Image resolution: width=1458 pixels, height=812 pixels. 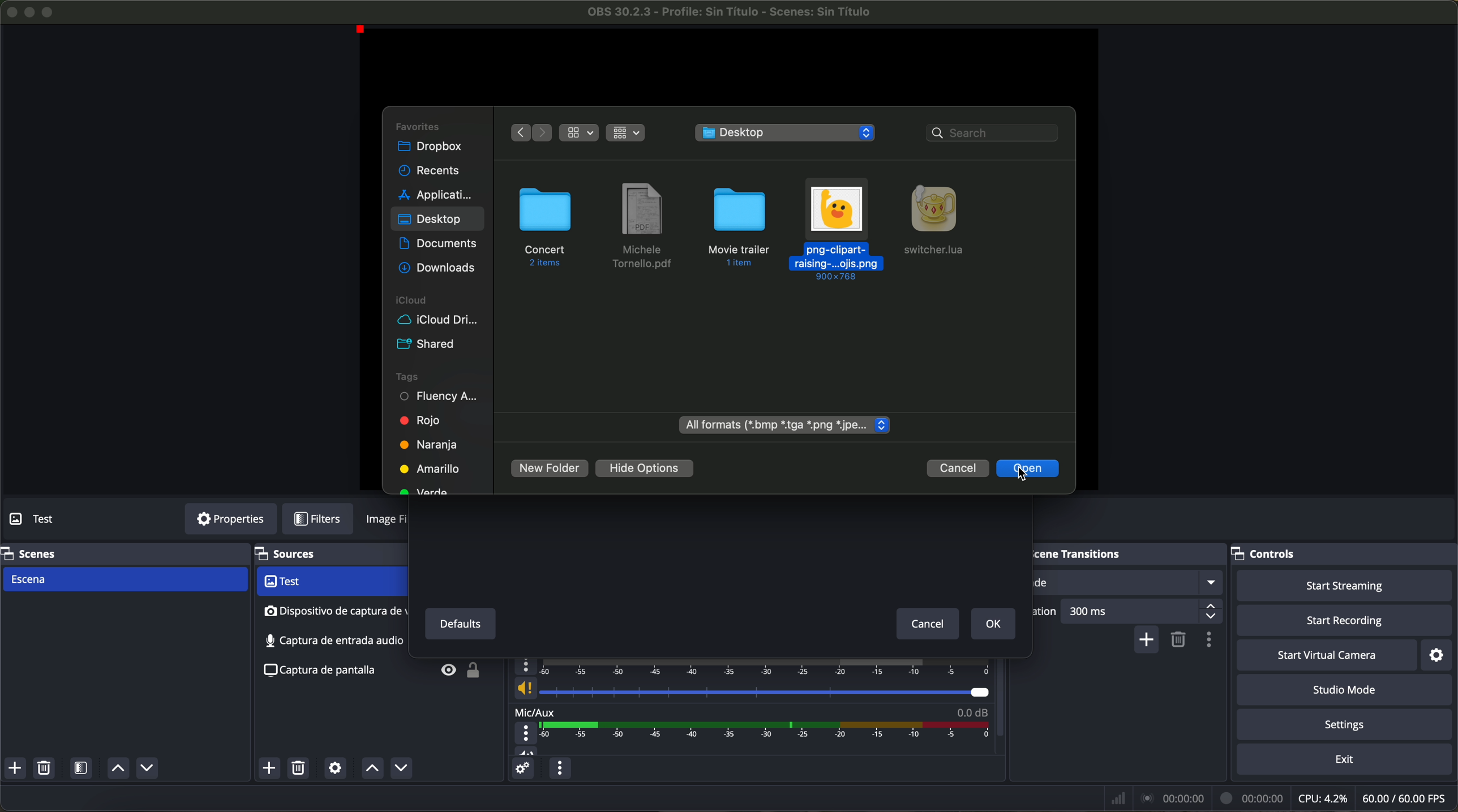 What do you see at coordinates (436, 268) in the screenshot?
I see `downloads` at bounding box center [436, 268].